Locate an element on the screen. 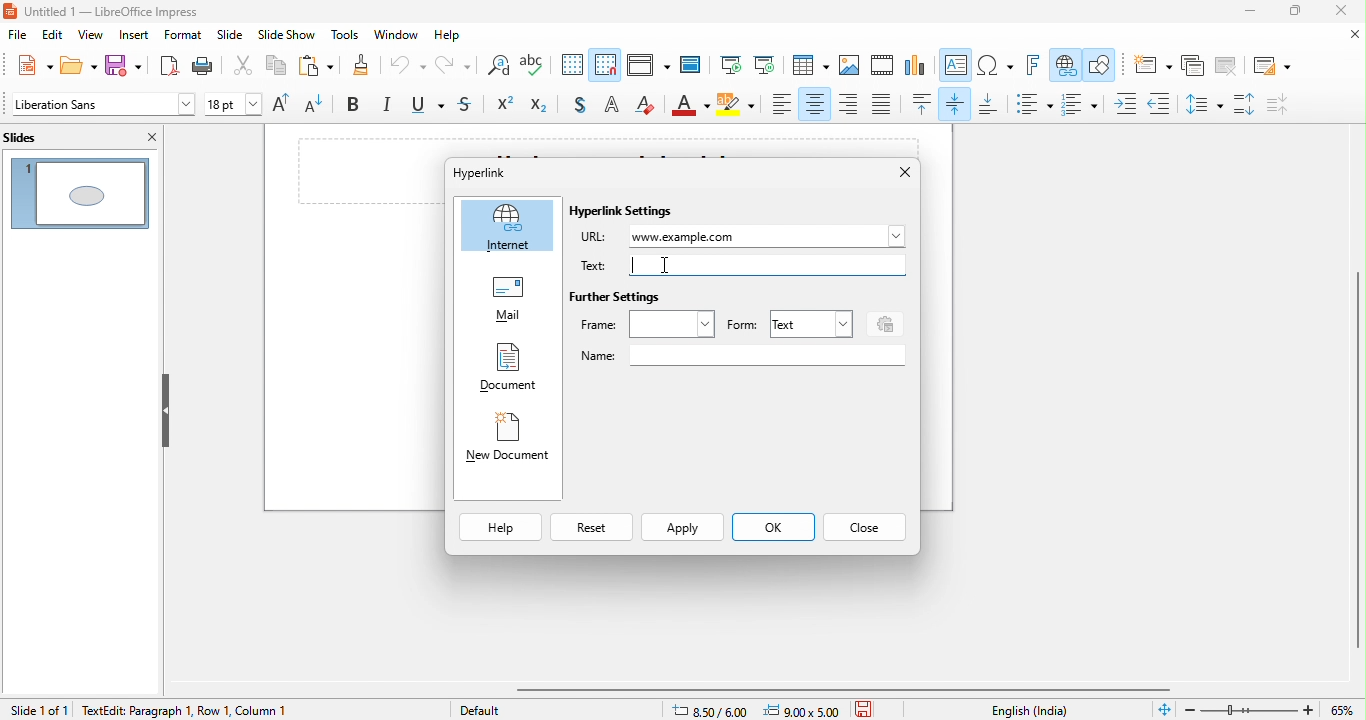  new is located at coordinates (28, 65).